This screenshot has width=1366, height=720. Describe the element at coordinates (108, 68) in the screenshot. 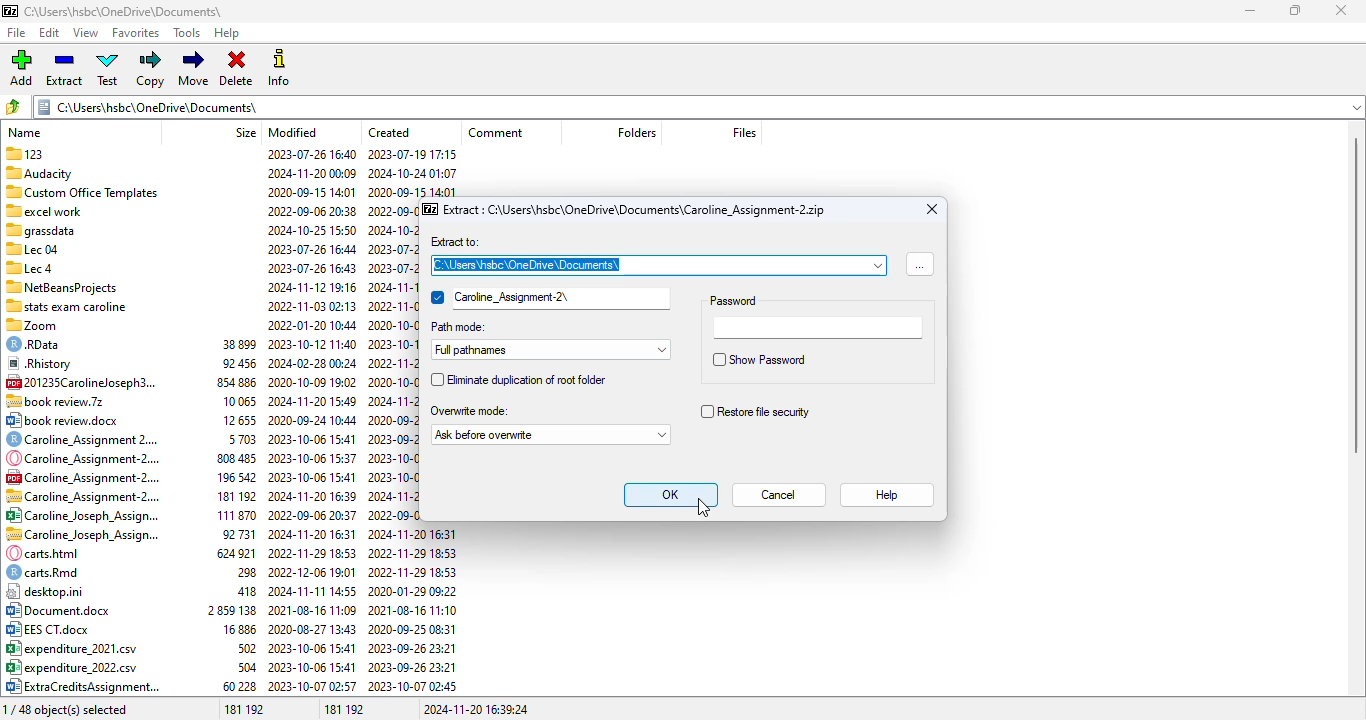

I see `test` at that location.